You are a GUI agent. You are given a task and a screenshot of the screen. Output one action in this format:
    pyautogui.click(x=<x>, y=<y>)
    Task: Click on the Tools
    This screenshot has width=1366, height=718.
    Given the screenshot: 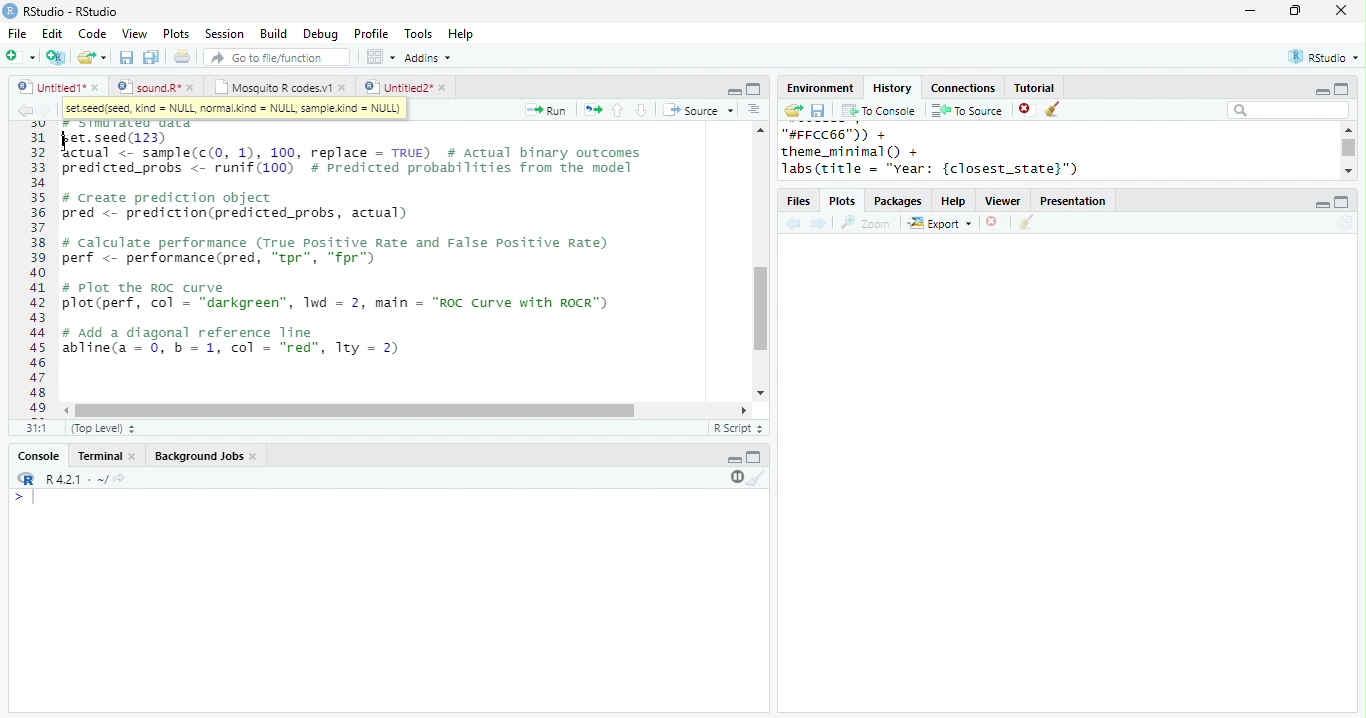 What is the action you would take?
    pyautogui.click(x=419, y=34)
    